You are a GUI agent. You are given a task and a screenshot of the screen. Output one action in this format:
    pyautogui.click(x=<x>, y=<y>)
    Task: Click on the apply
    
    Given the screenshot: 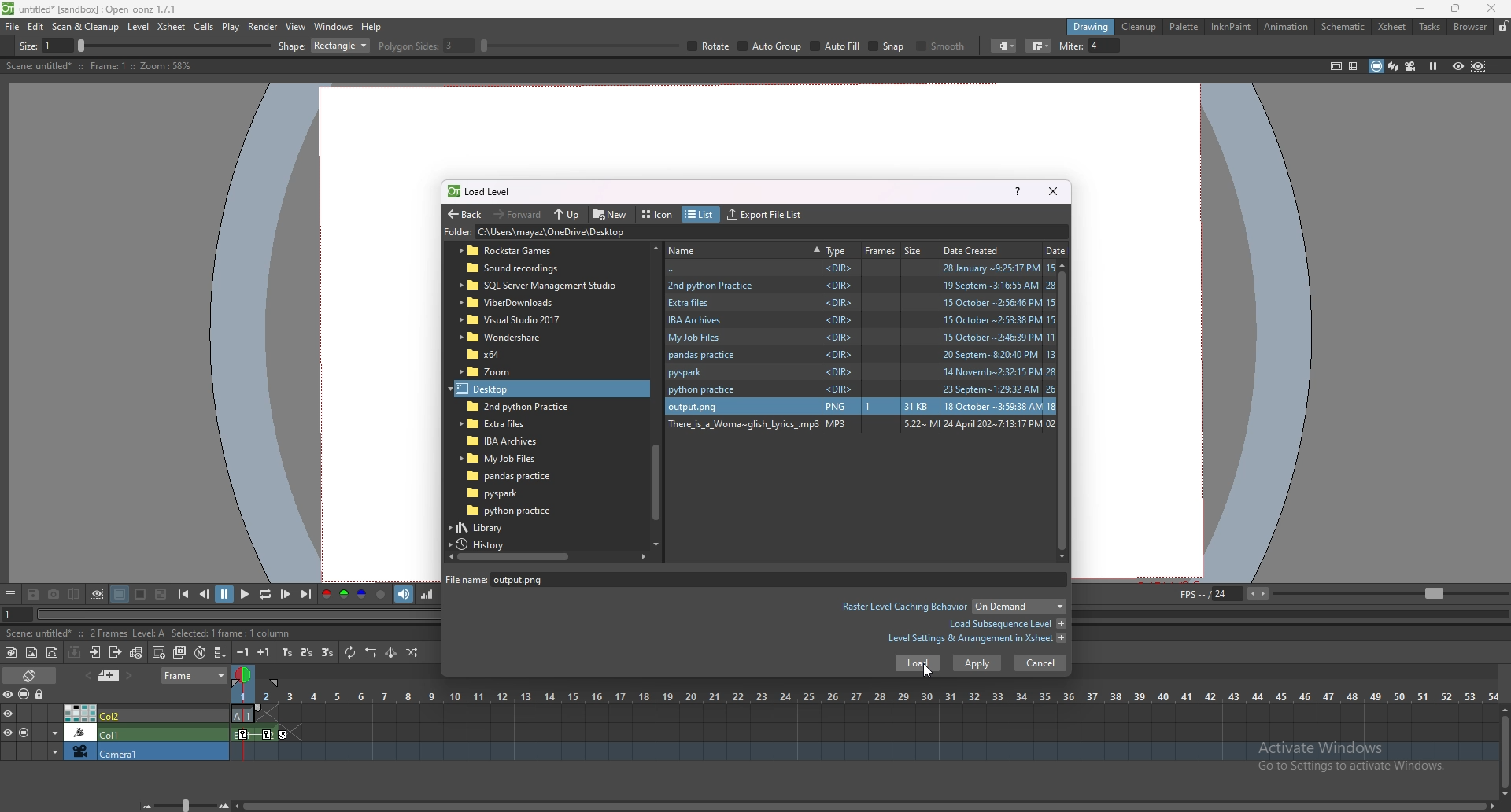 What is the action you would take?
    pyautogui.click(x=977, y=663)
    